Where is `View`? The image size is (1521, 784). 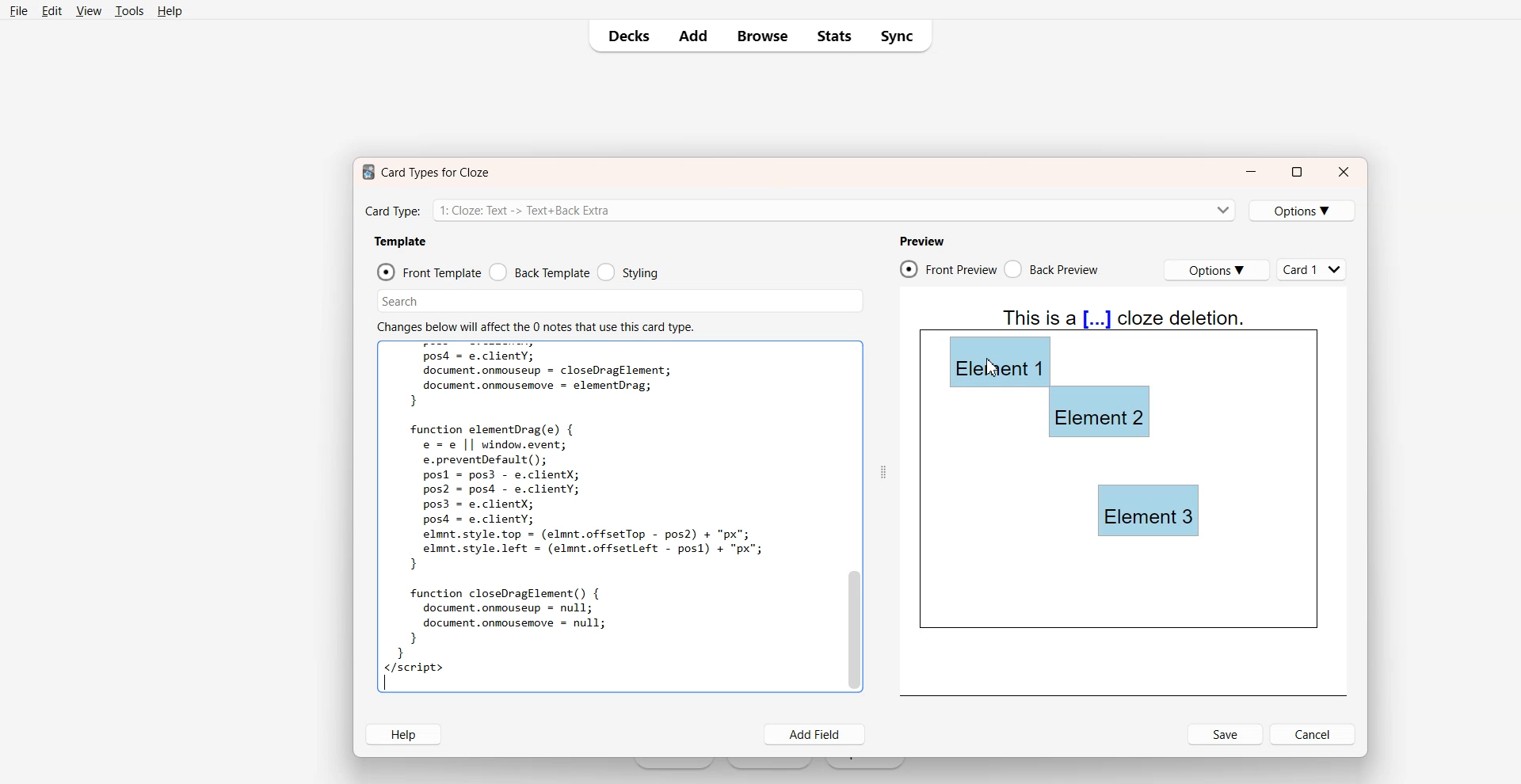
View is located at coordinates (88, 10).